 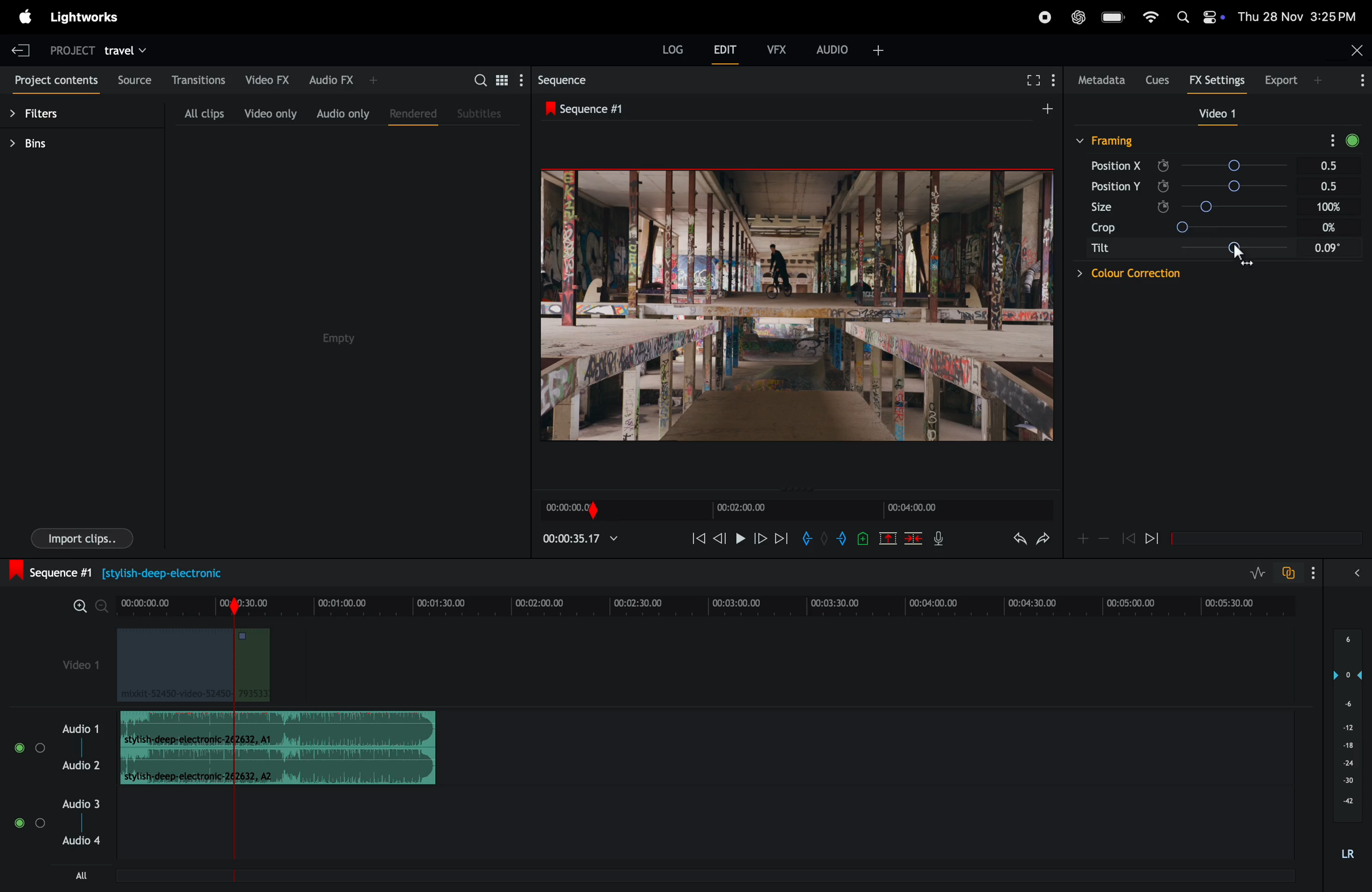 What do you see at coordinates (1260, 206) in the screenshot?
I see `Size slider: 100` at bounding box center [1260, 206].